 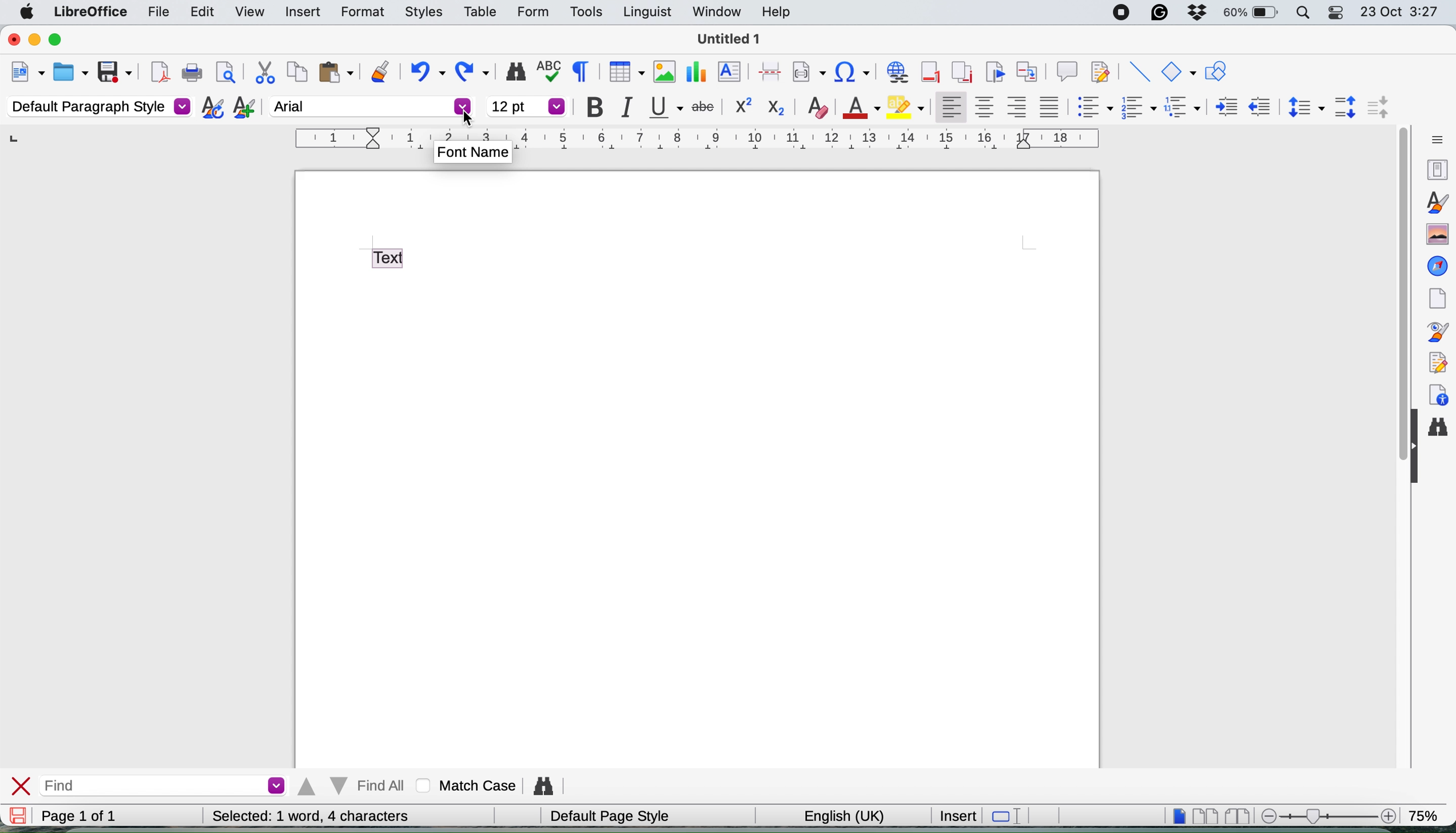 What do you see at coordinates (1338, 14) in the screenshot?
I see `control center` at bounding box center [1338, 14].